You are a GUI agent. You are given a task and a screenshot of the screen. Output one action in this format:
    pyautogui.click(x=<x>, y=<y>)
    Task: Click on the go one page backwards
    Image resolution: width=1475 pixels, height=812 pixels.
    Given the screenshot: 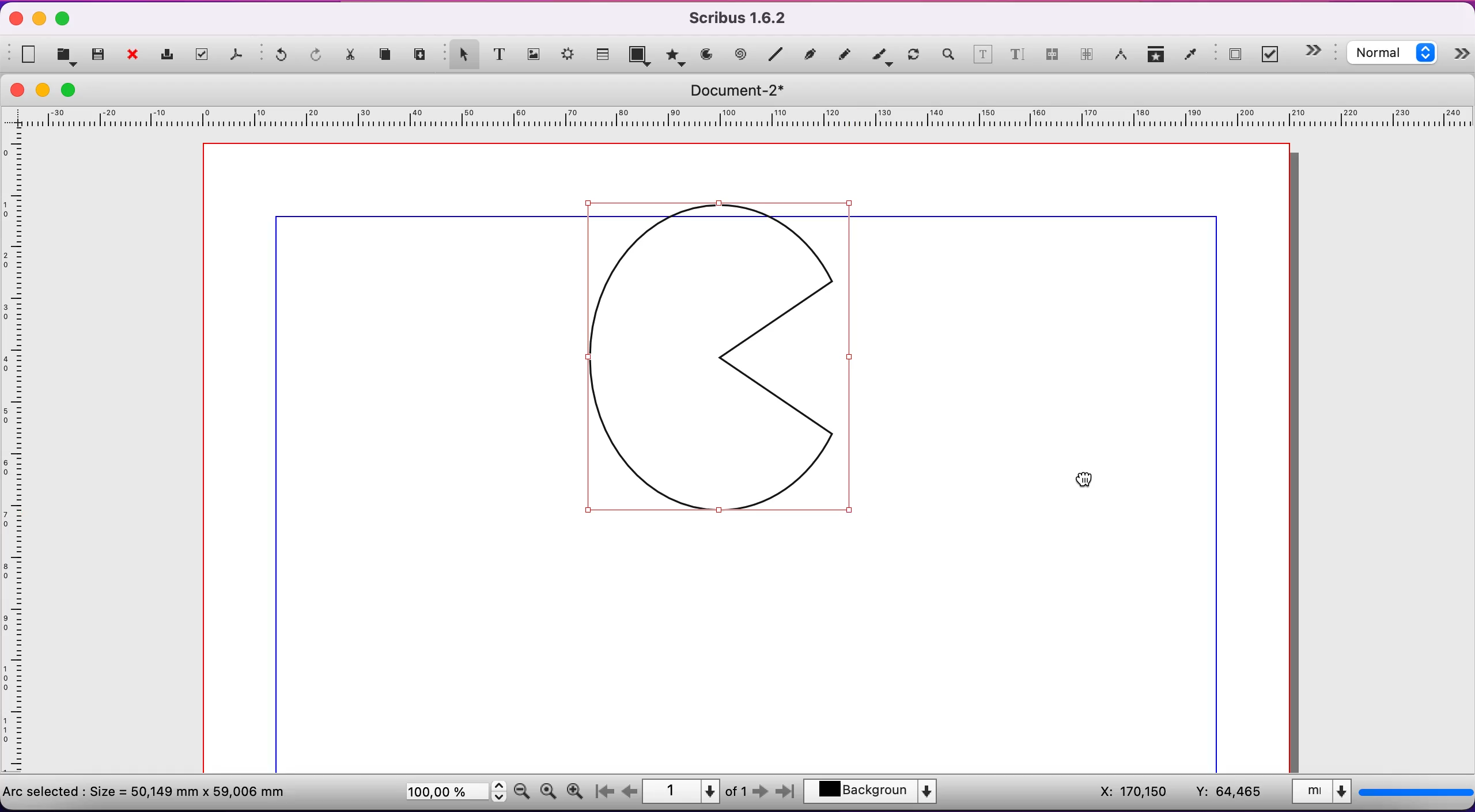 What is the action you would take?
    pyautogui.click(x=630, y=791)
    